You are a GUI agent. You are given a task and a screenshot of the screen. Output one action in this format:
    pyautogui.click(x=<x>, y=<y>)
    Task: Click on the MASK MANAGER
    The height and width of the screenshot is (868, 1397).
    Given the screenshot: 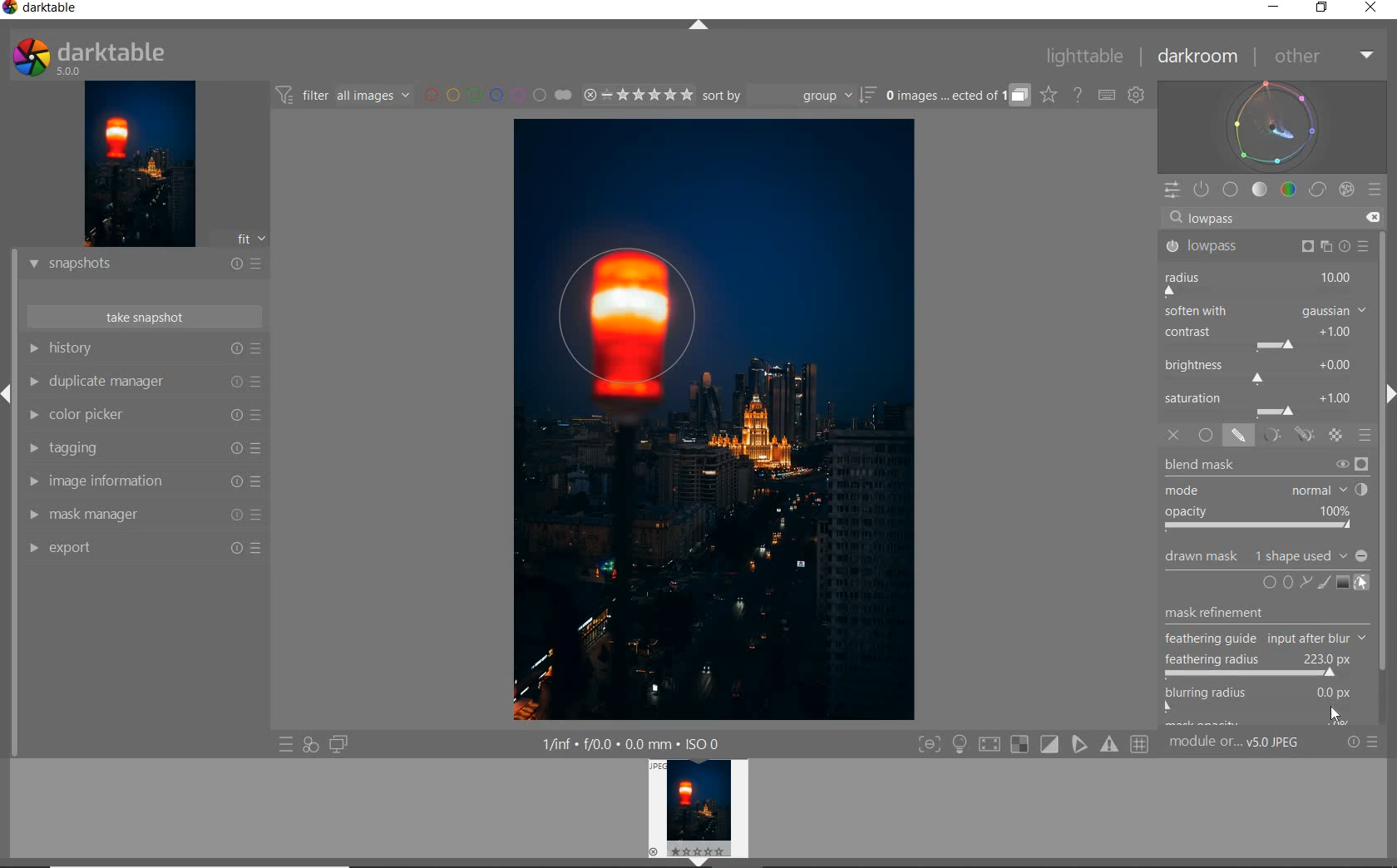 What is the action you would take?
    pyautogui.click(x=144, y=515)
    